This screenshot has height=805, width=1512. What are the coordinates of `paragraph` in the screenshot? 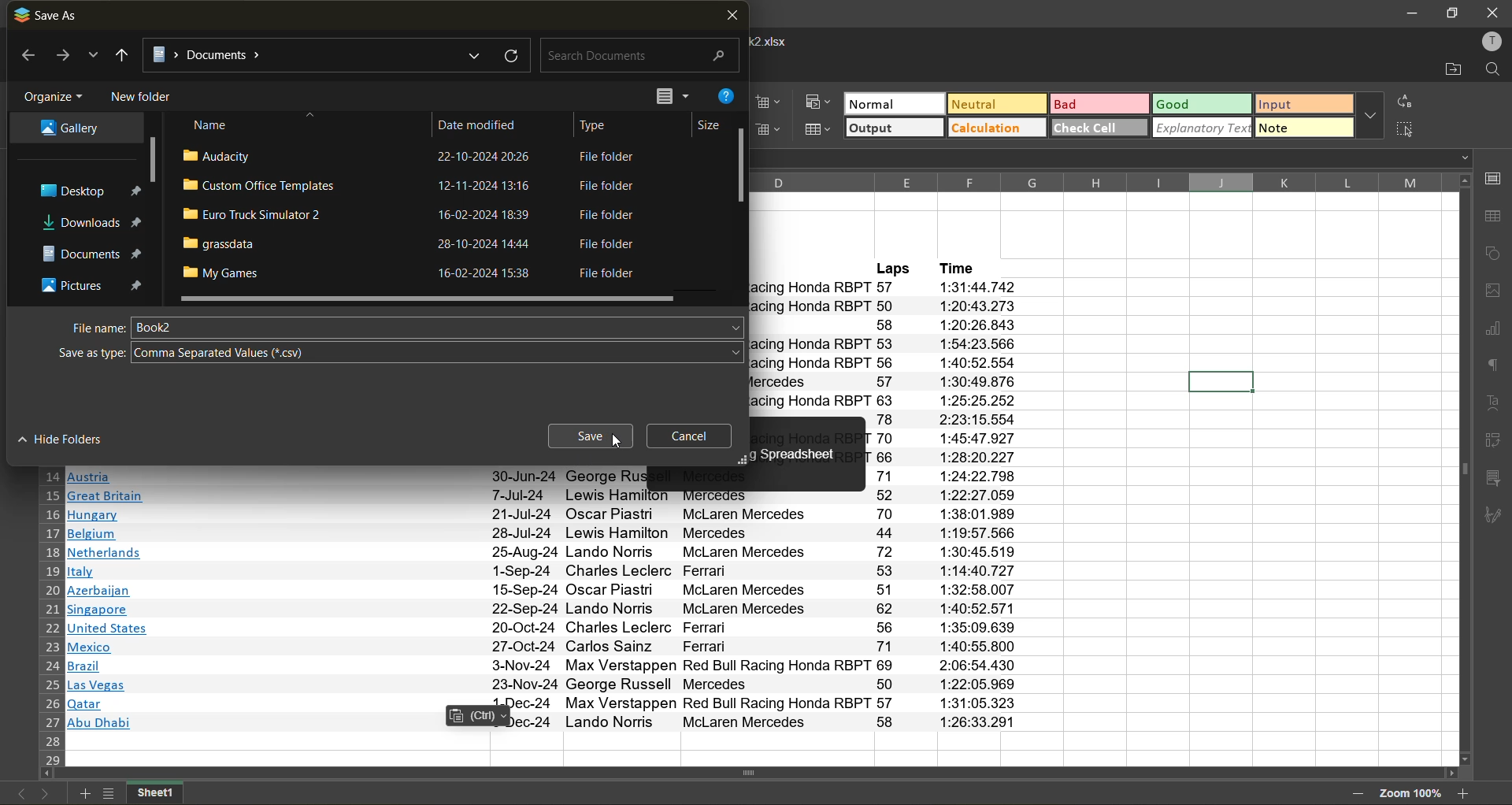 It's located at (1492, 368).